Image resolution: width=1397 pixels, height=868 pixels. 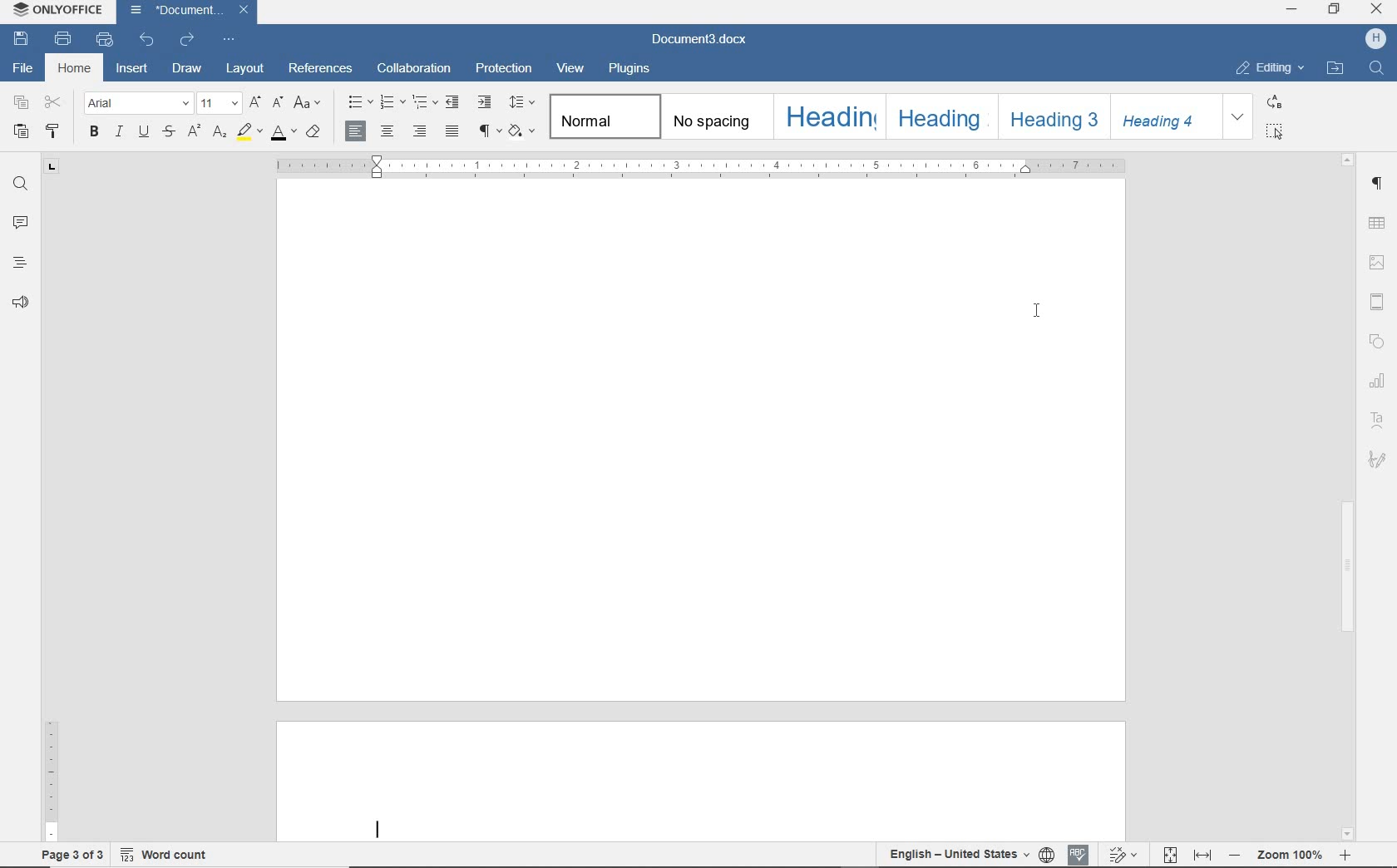 I want to click on HEADING 2, so click(x=940, y=116).